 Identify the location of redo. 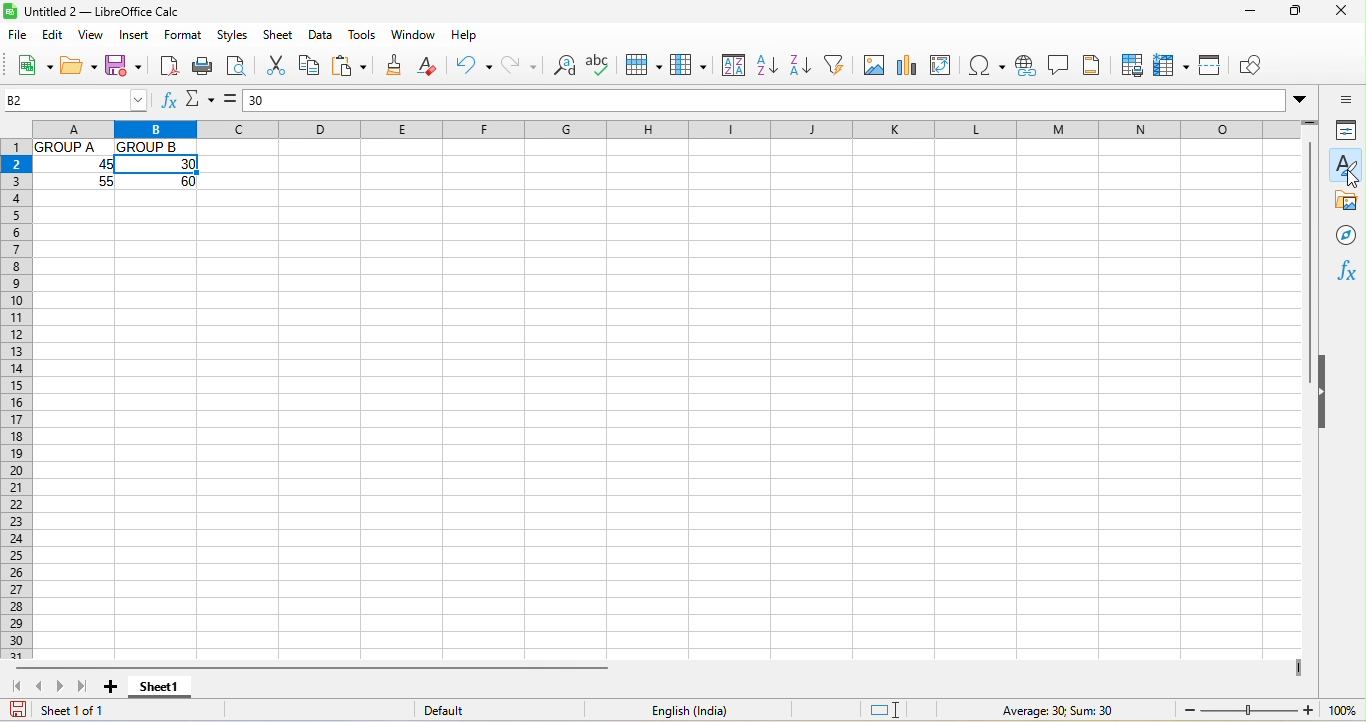
(520, 68).